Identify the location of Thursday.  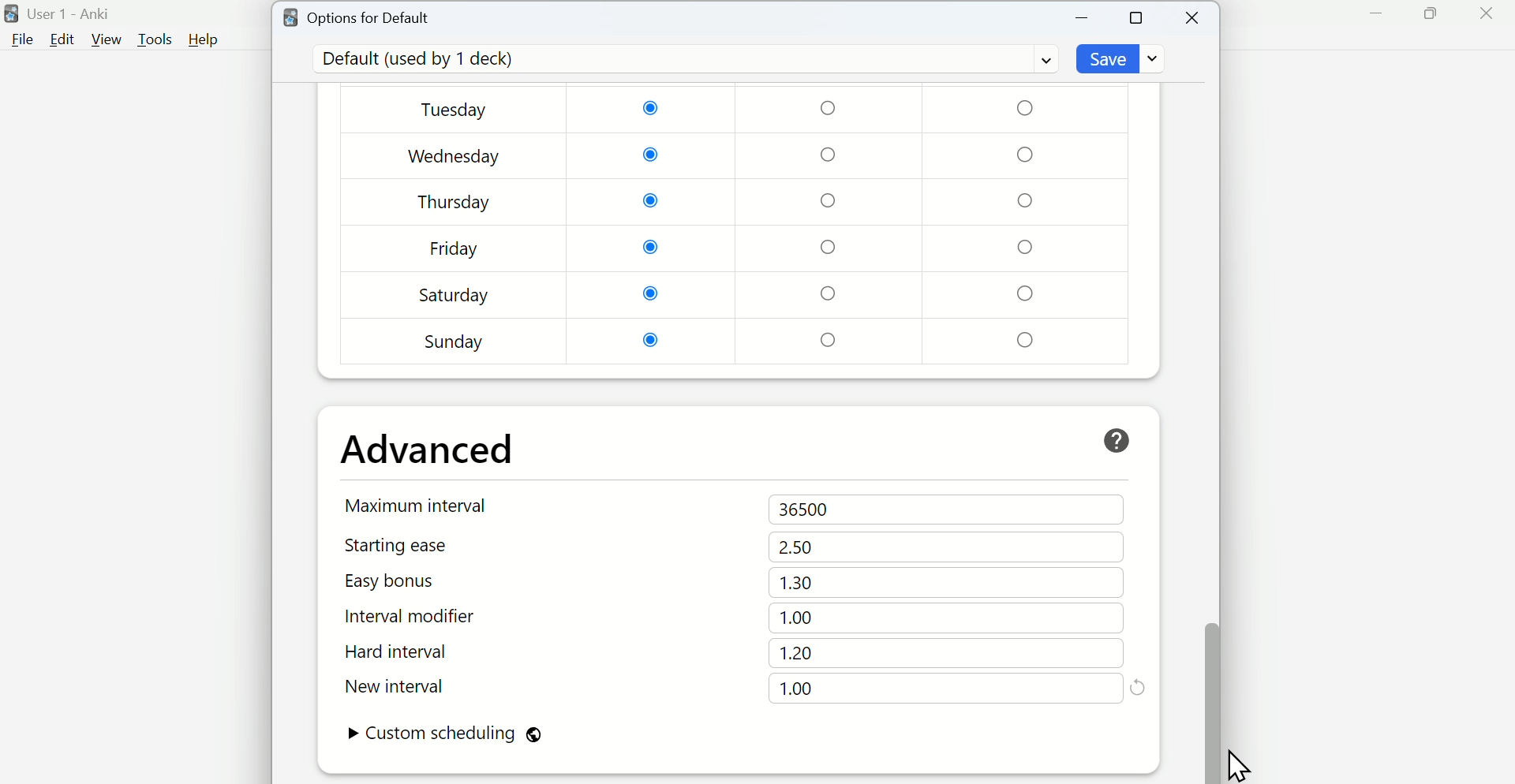
(454, 202).